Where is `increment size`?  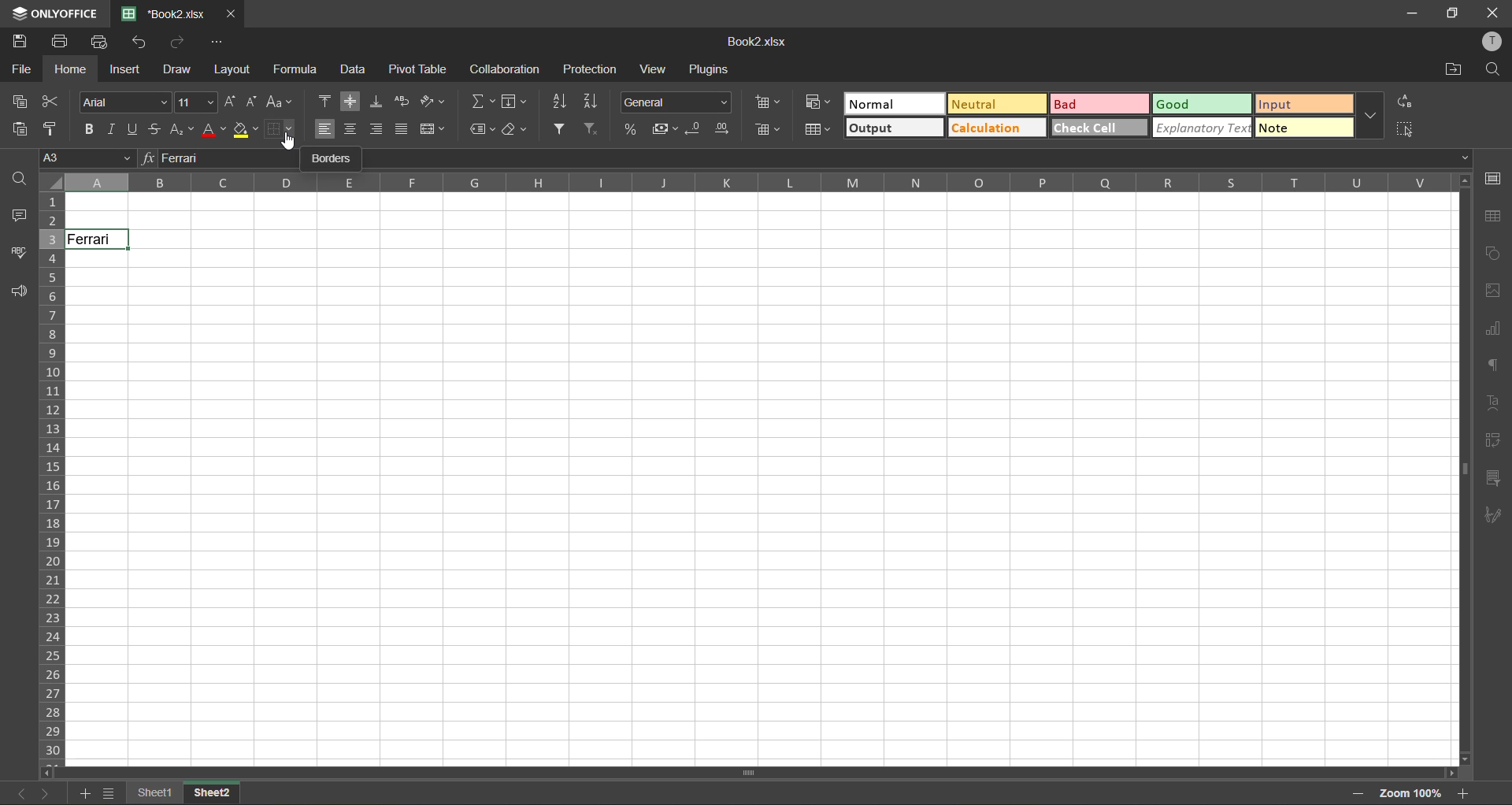
increment size is located at coordinates (232, 101).